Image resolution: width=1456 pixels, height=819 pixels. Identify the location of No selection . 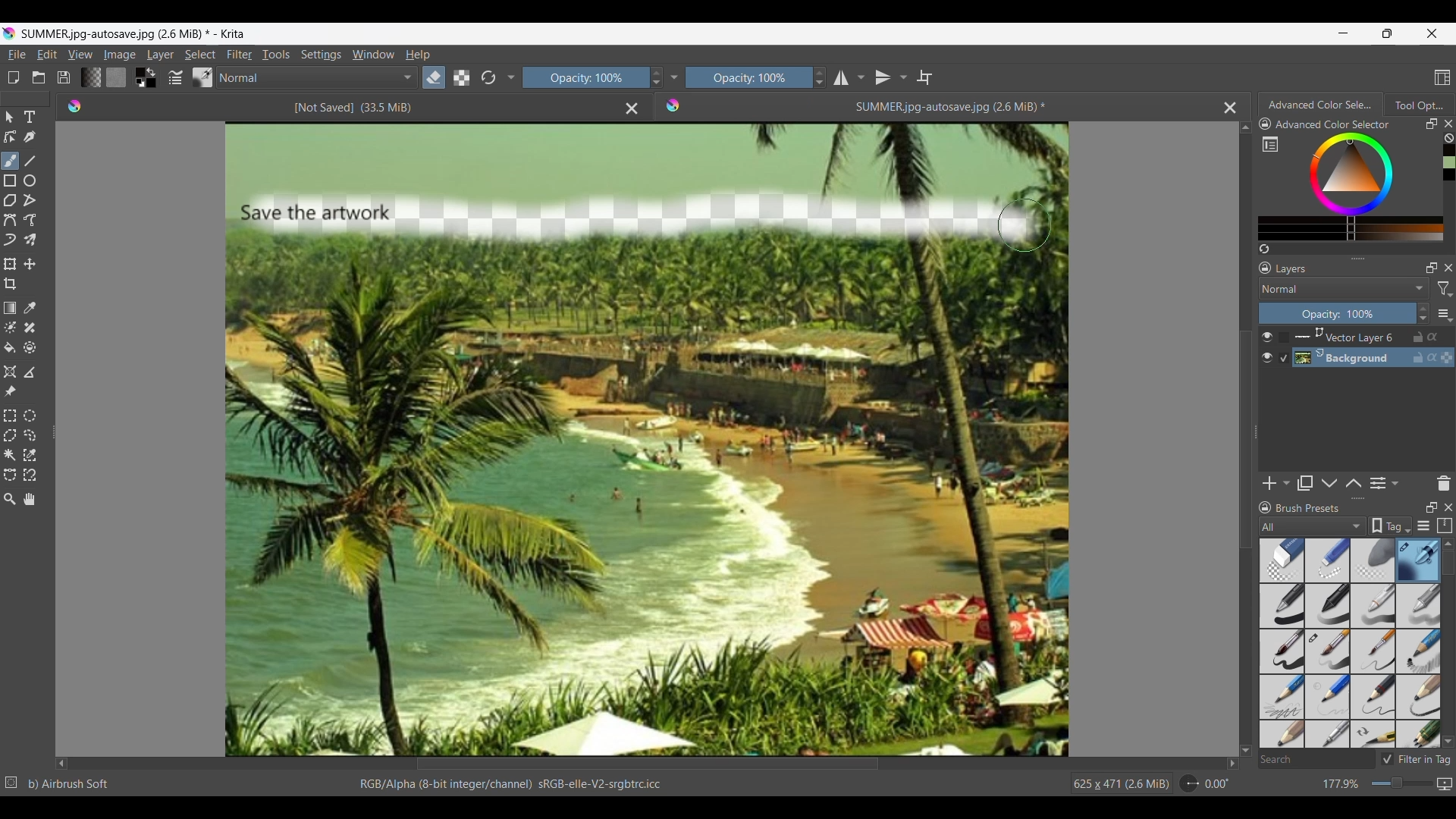
(11, 783).